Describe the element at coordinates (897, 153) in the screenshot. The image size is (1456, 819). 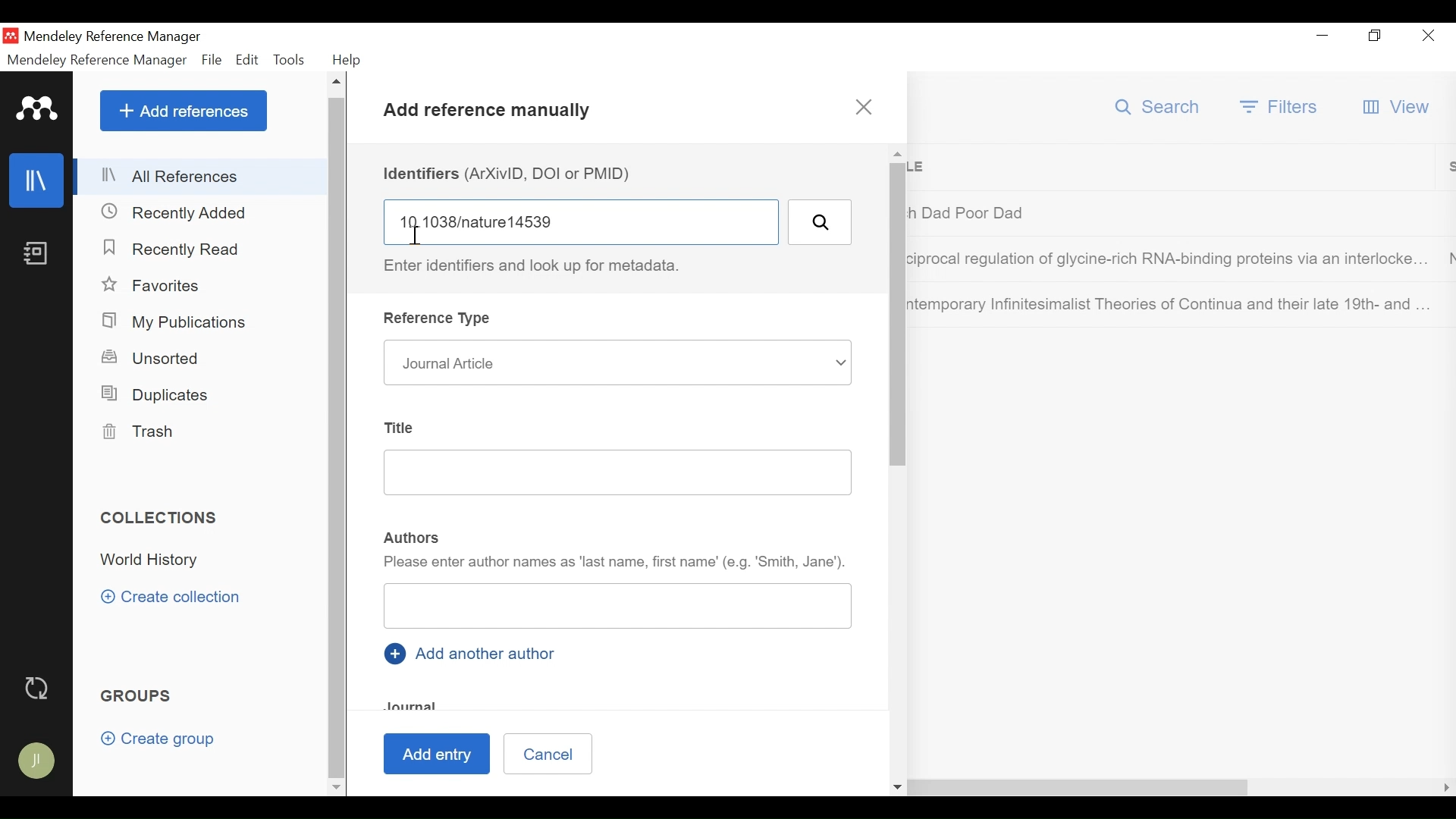
I see `Scroll up` at that location.